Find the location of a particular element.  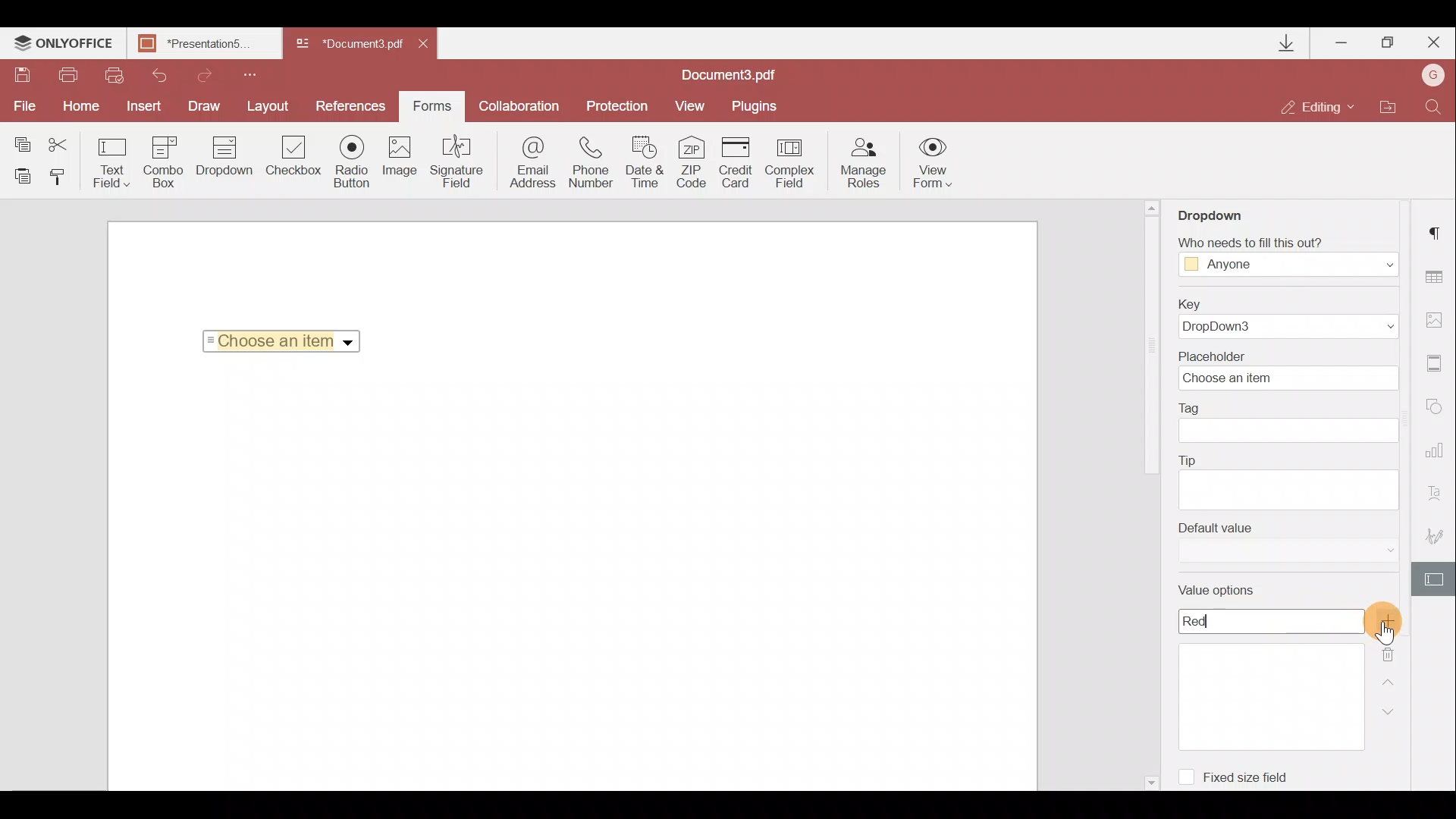

Chart settings is located at coordinates (1438, 450).